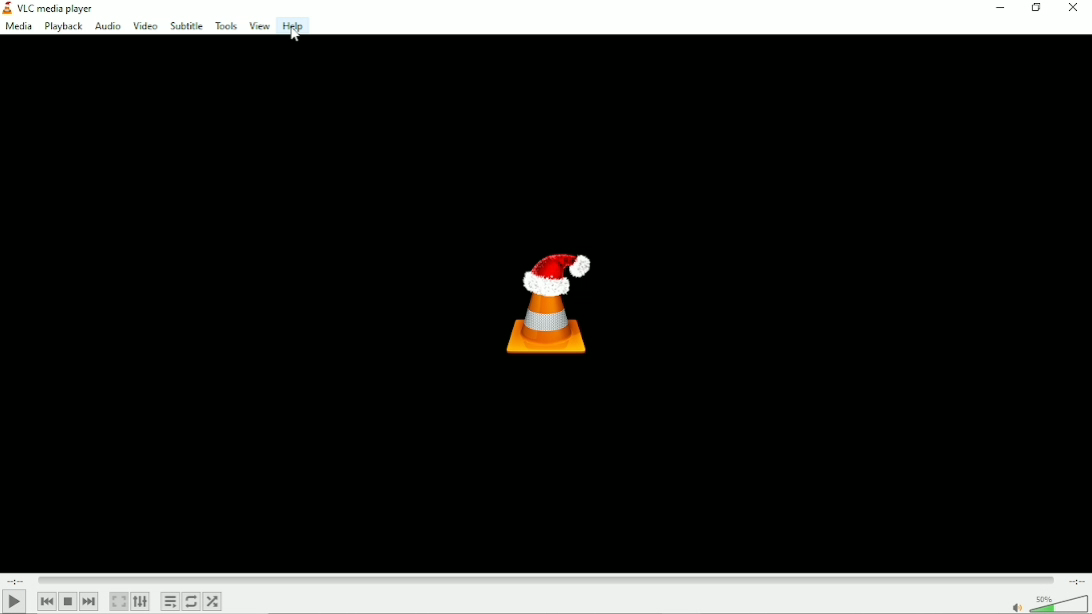 The width and height of the screenshot is (1092, 614). Describe the element at coordinates (295, 35) in the screenshot. I see `Cursor` at that location.